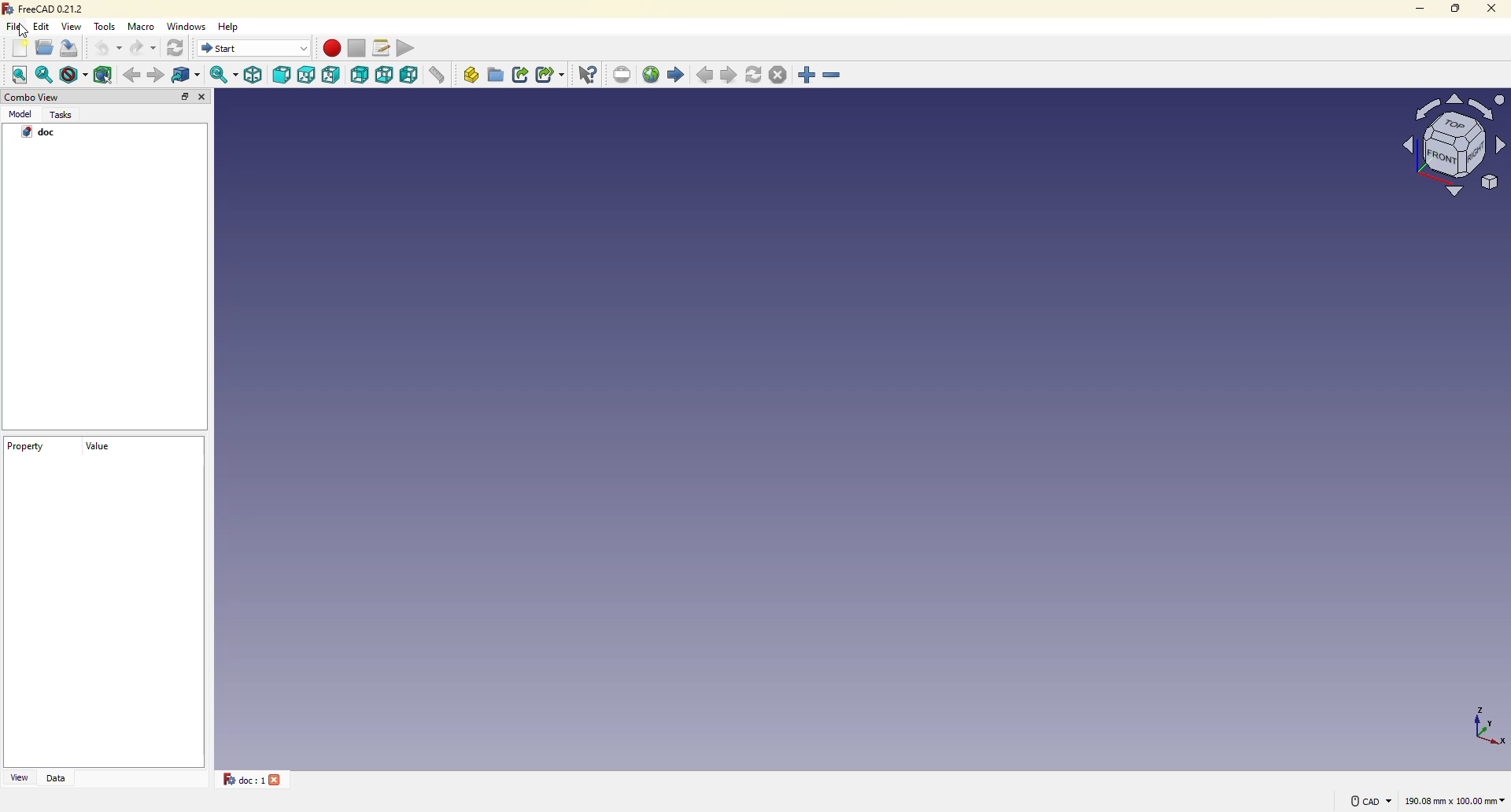 Image resolution: width=1511 pixels, height=812 pixels. I want to click on start page, so click(676, 75).